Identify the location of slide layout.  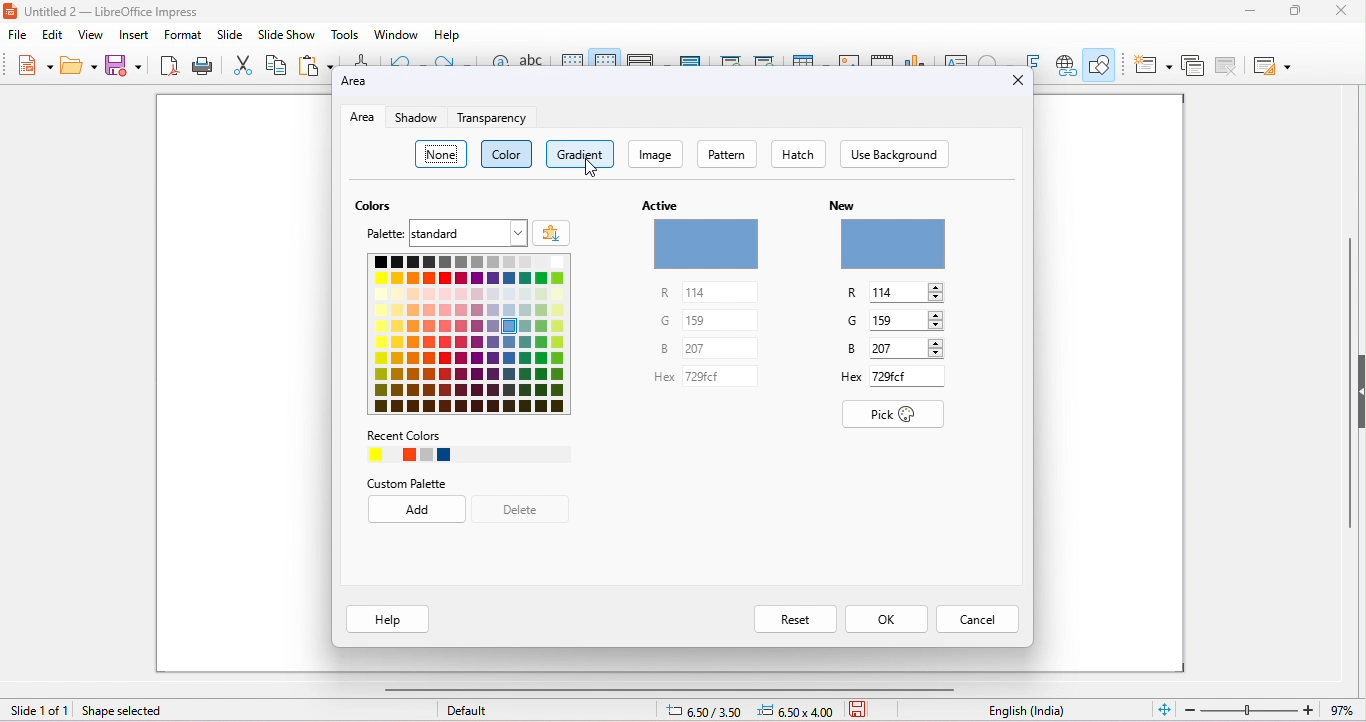
(1274, 67).